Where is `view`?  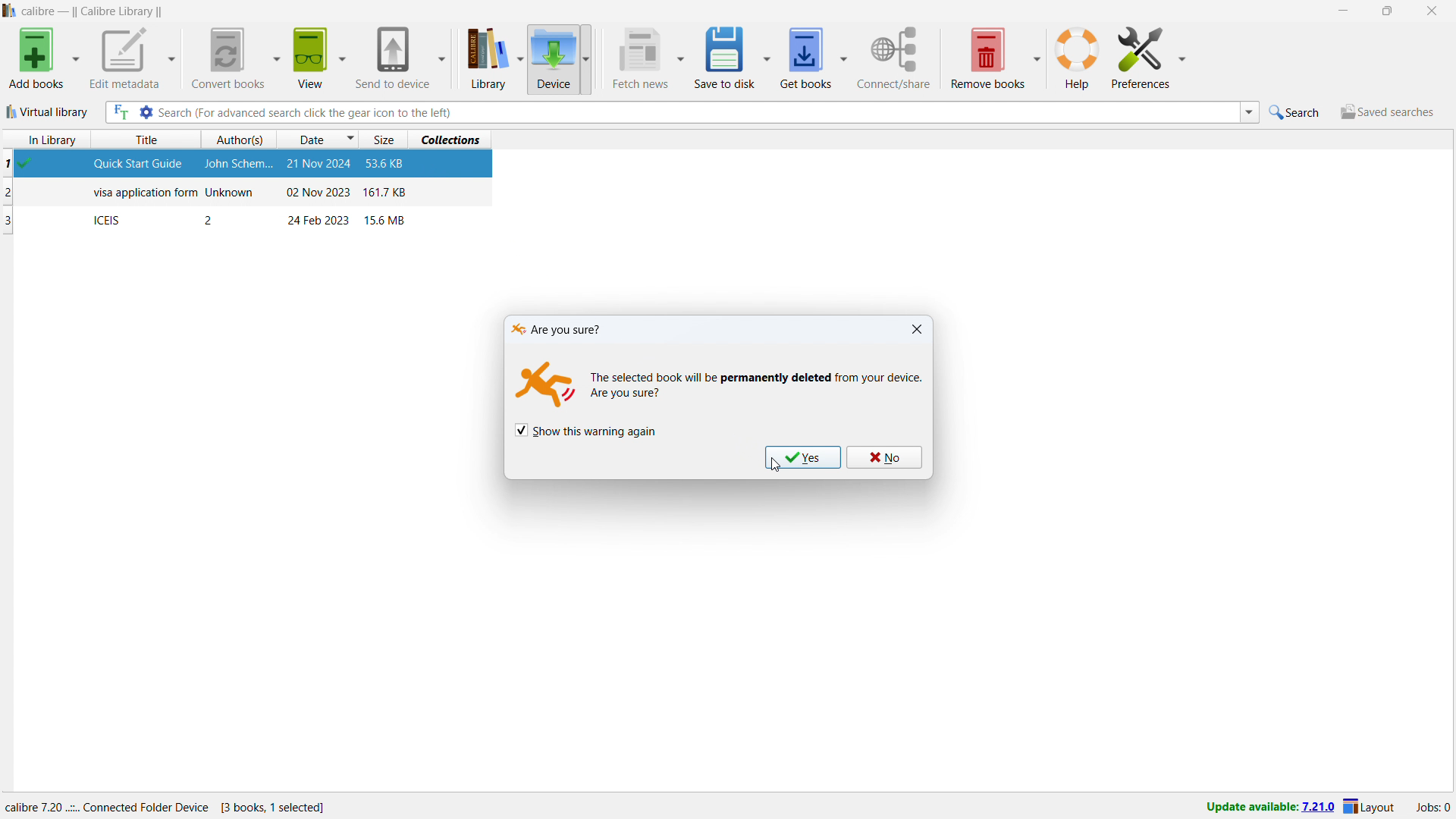 view is located at coordinates (309, 58).